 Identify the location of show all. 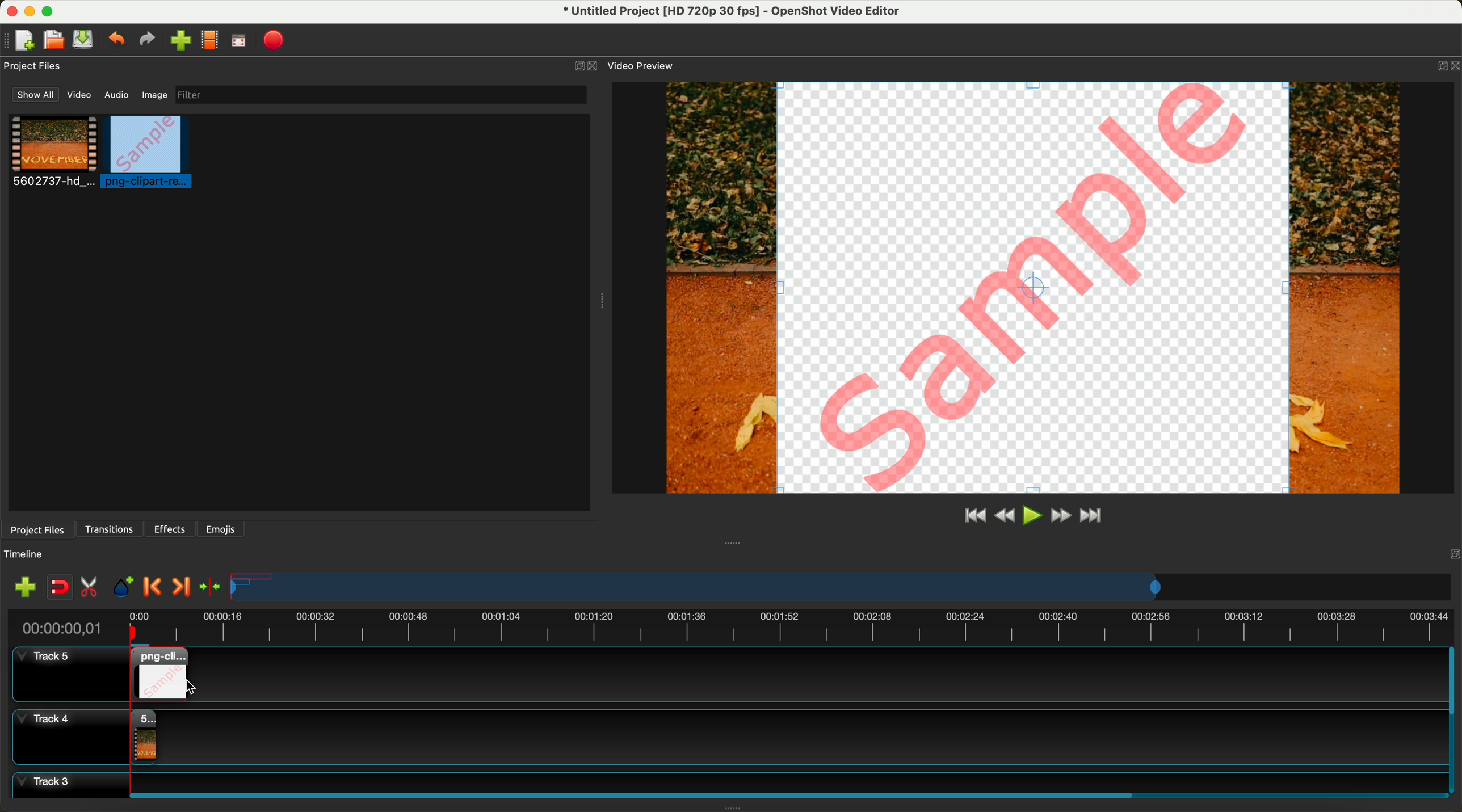
(36, 95).